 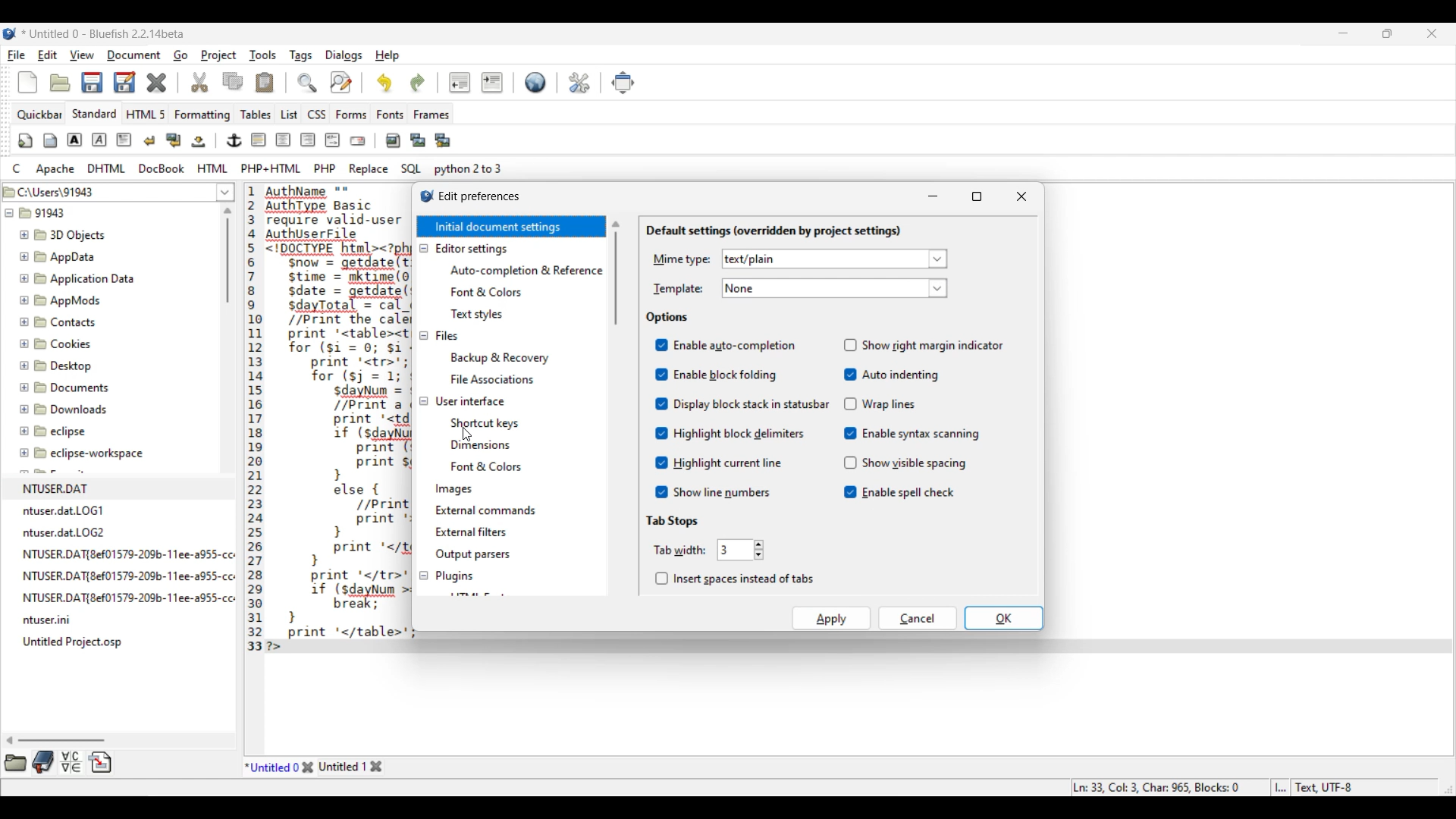 I want to click on Paste, so click(x=265, y=83).